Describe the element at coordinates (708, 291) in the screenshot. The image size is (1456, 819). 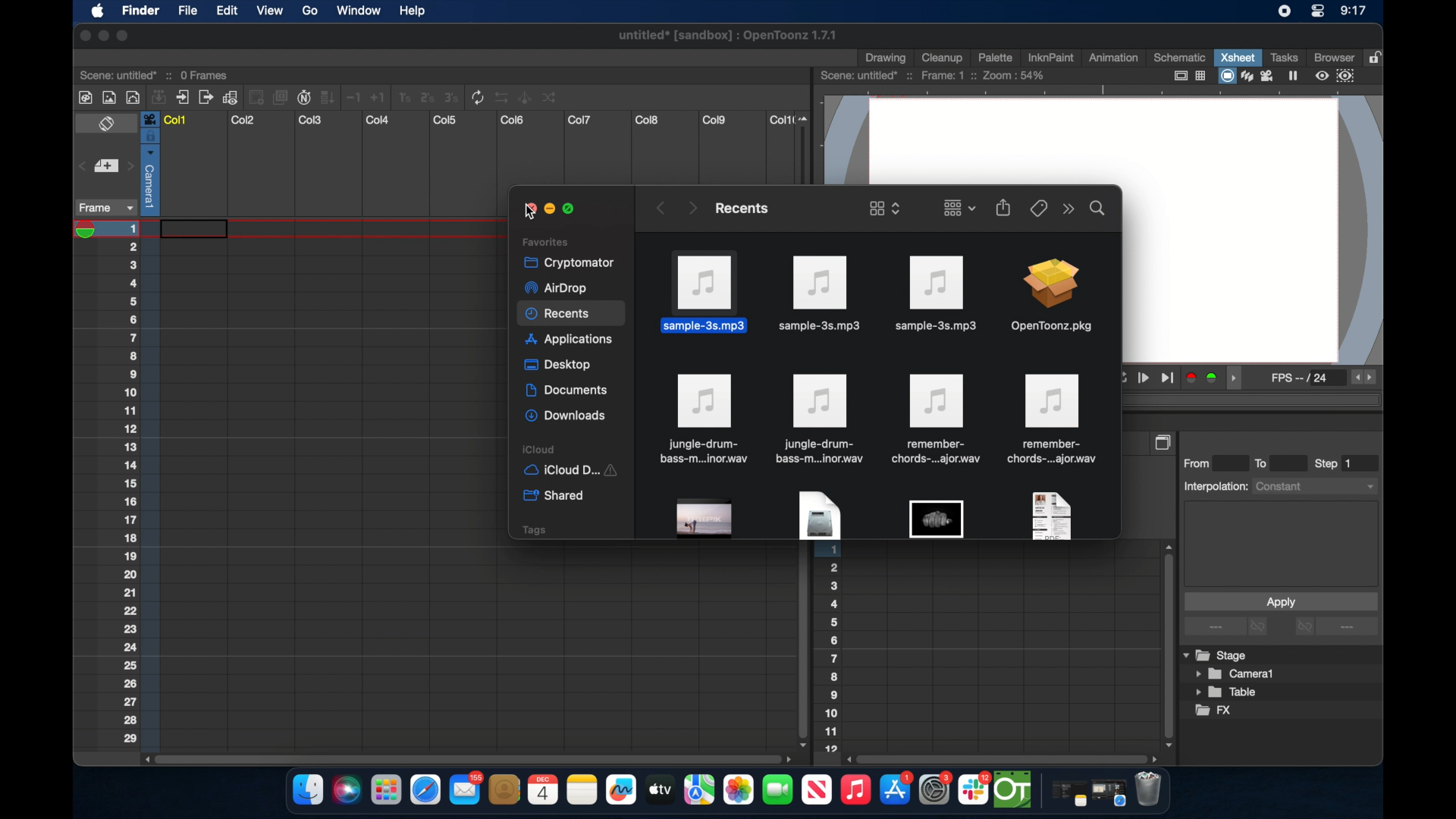
I see `mp3 file selected` at that location.